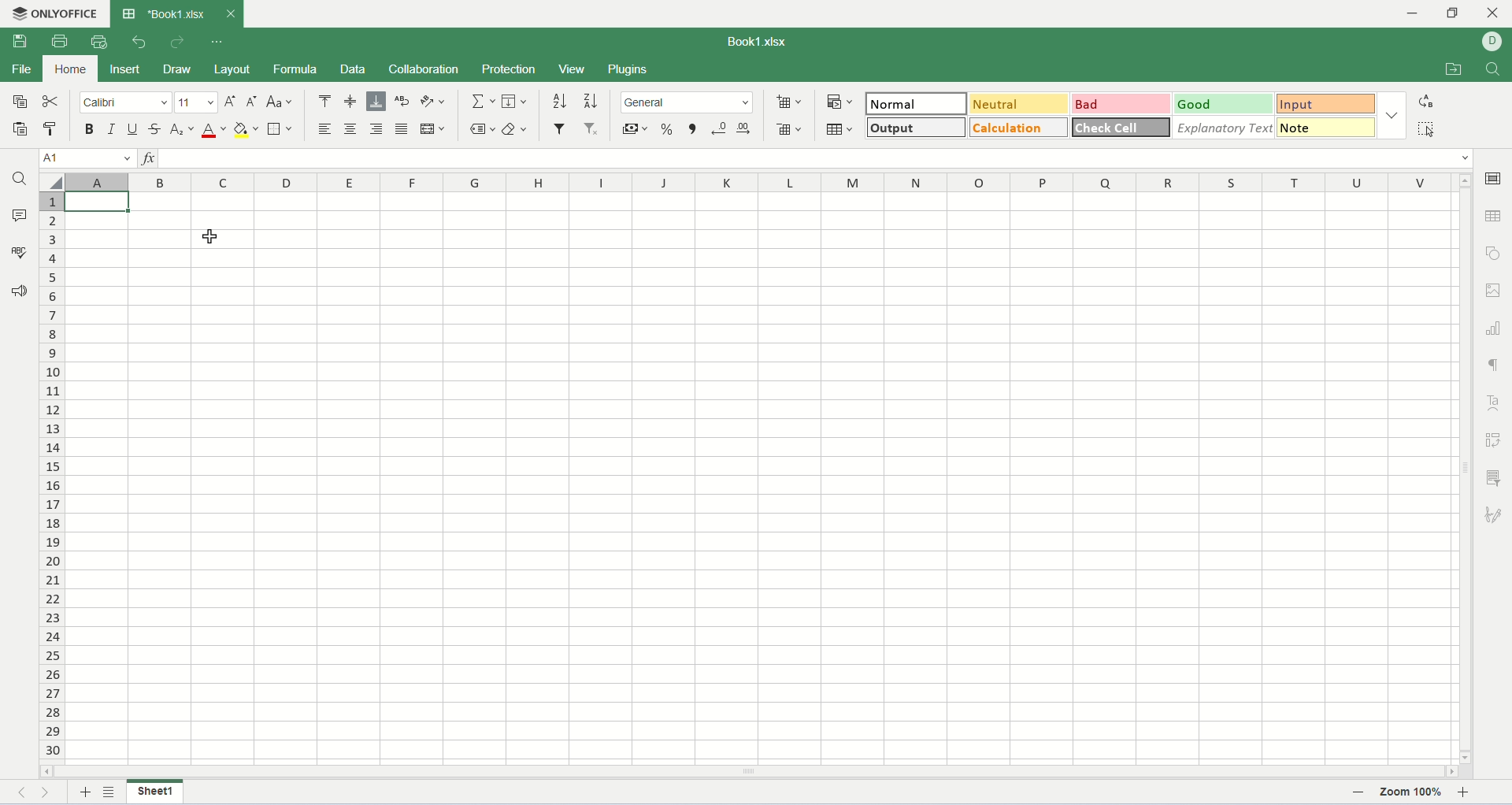 The width and height of the screenshot is (1512, 805). Describe the element at coordinates (1327, 128) in the screenshot. I see `note` at that location.